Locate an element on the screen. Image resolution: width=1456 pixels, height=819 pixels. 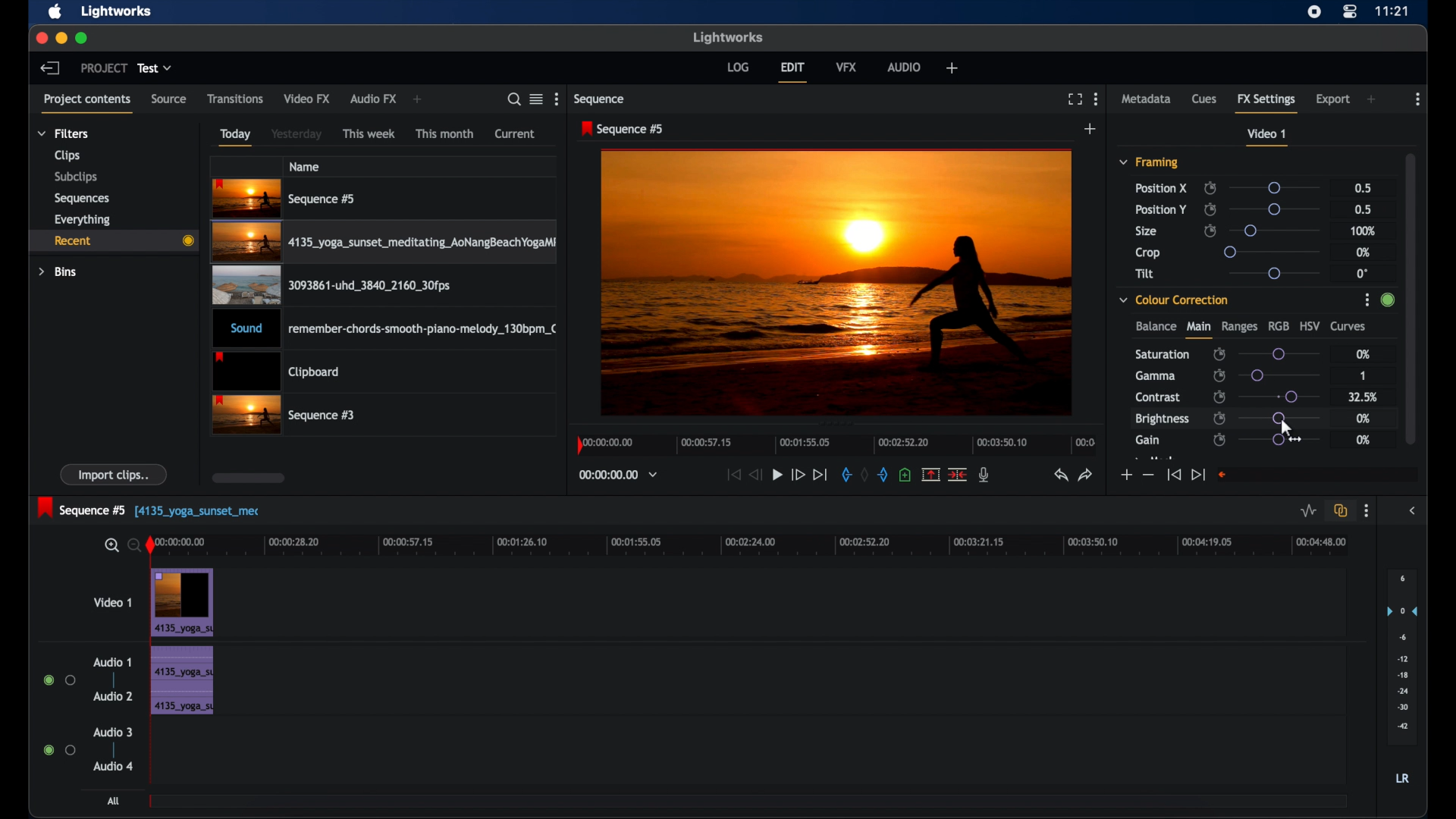
metadata is located at coordinates (1147, 98).